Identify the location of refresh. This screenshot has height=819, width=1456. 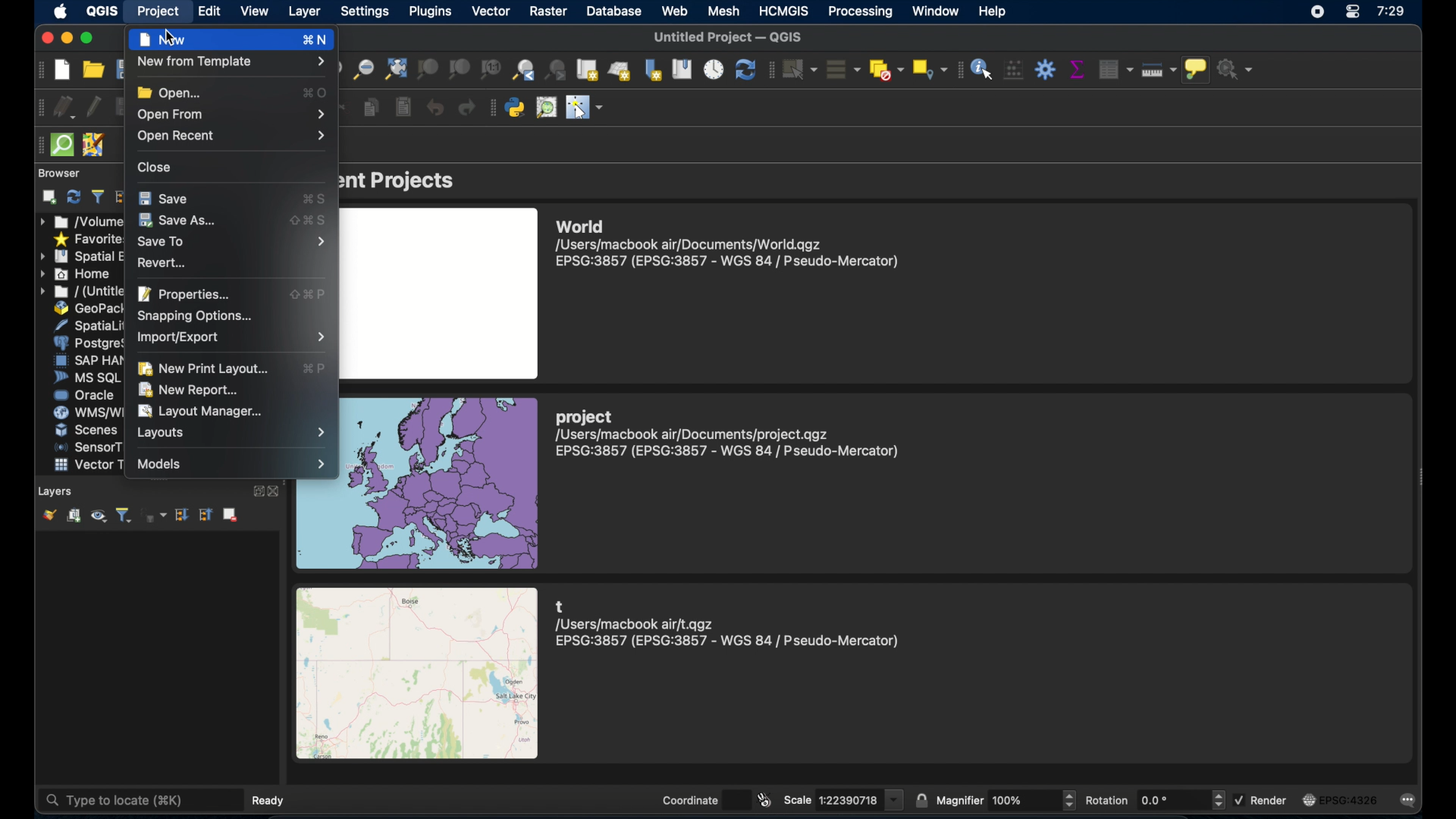
(745, 71).